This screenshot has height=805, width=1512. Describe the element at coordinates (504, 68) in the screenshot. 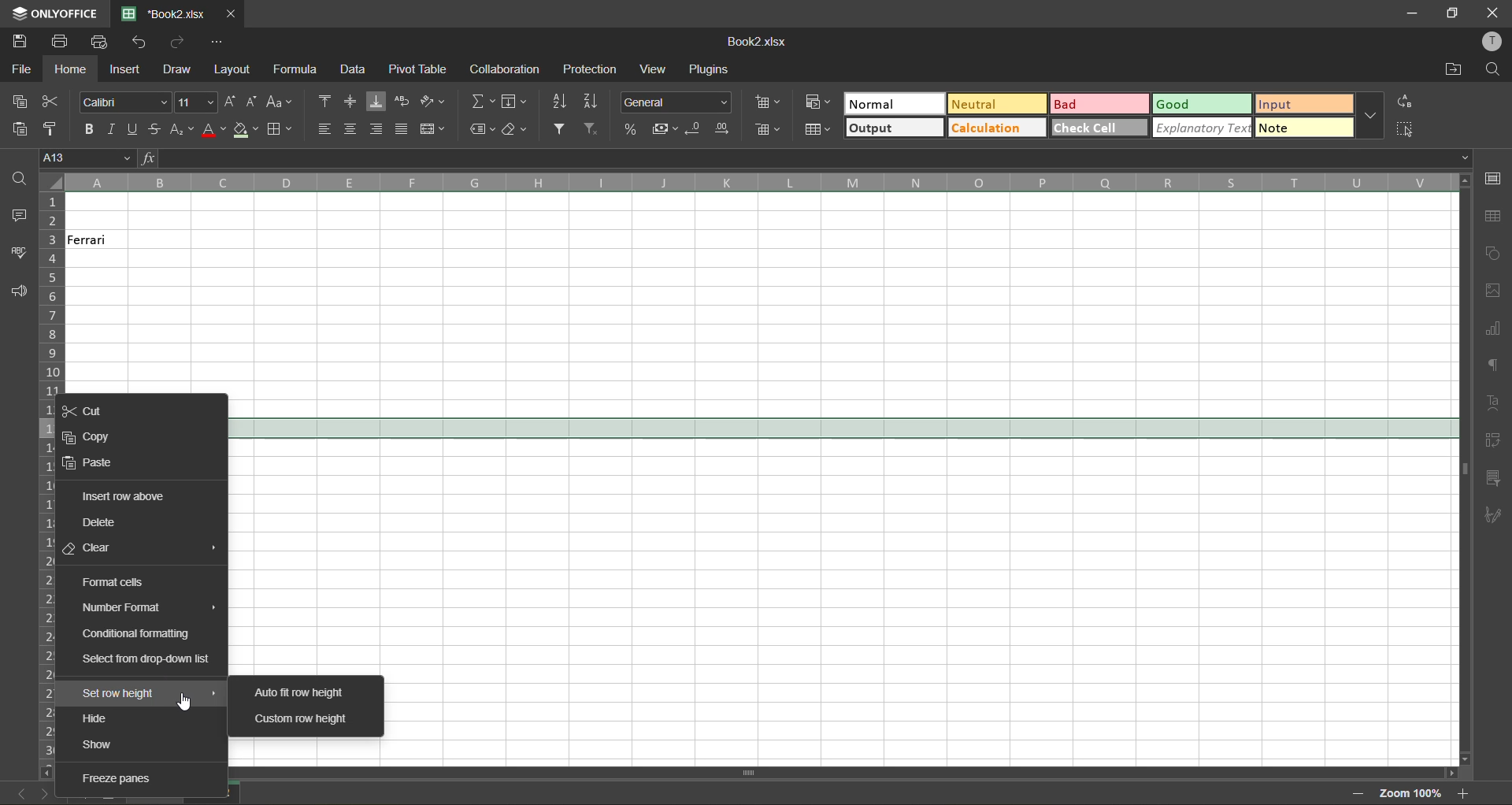

I see `collaboration` at that location.